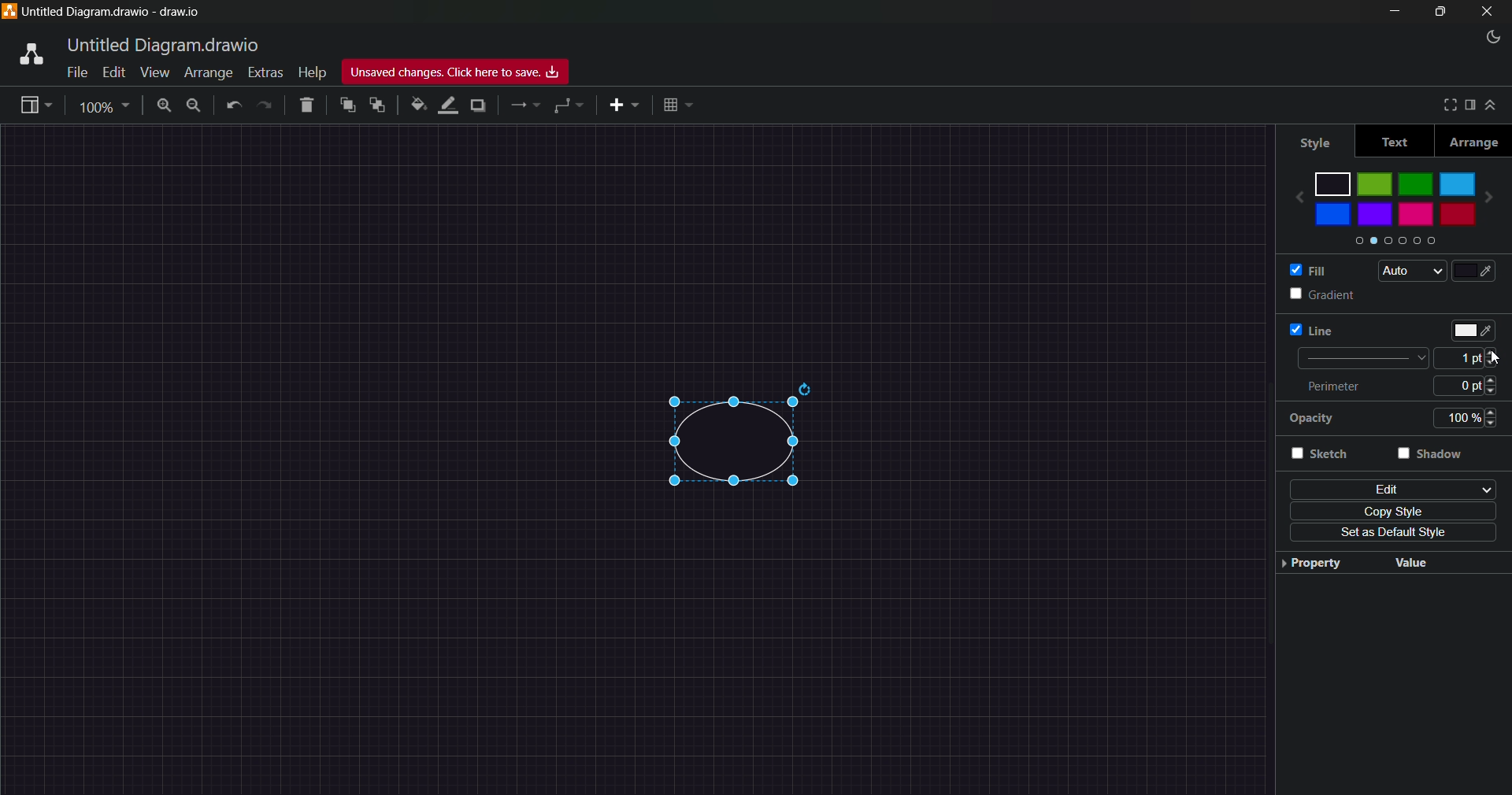 The height and width of the screenshot is (795, 1512). I want to click on help, so click(313, 73).